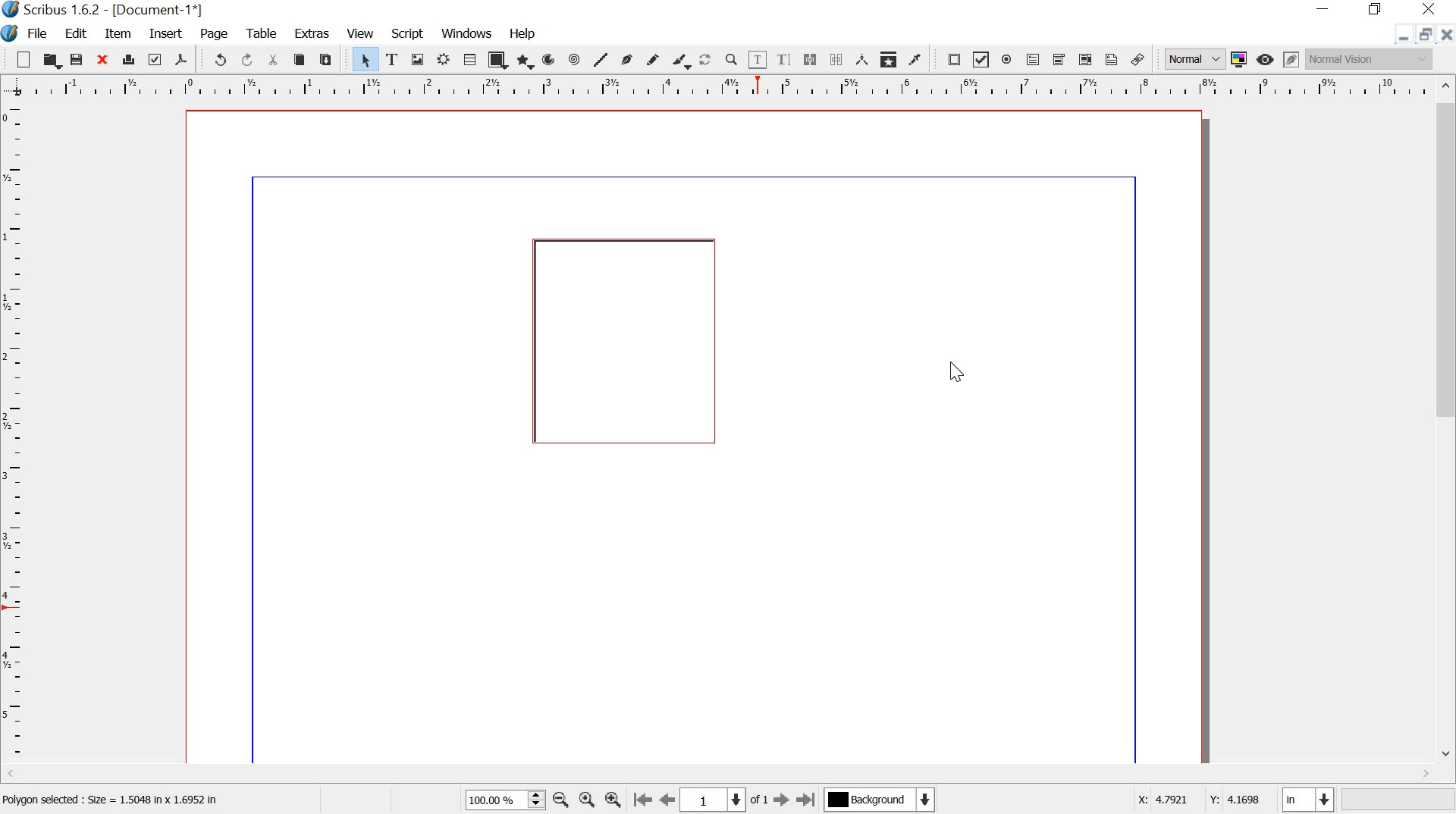 The image size is (1456, 814). What do you see at coordinates (469, 60) in the screenshot?
I see `table` at bounding box center [469, 60].